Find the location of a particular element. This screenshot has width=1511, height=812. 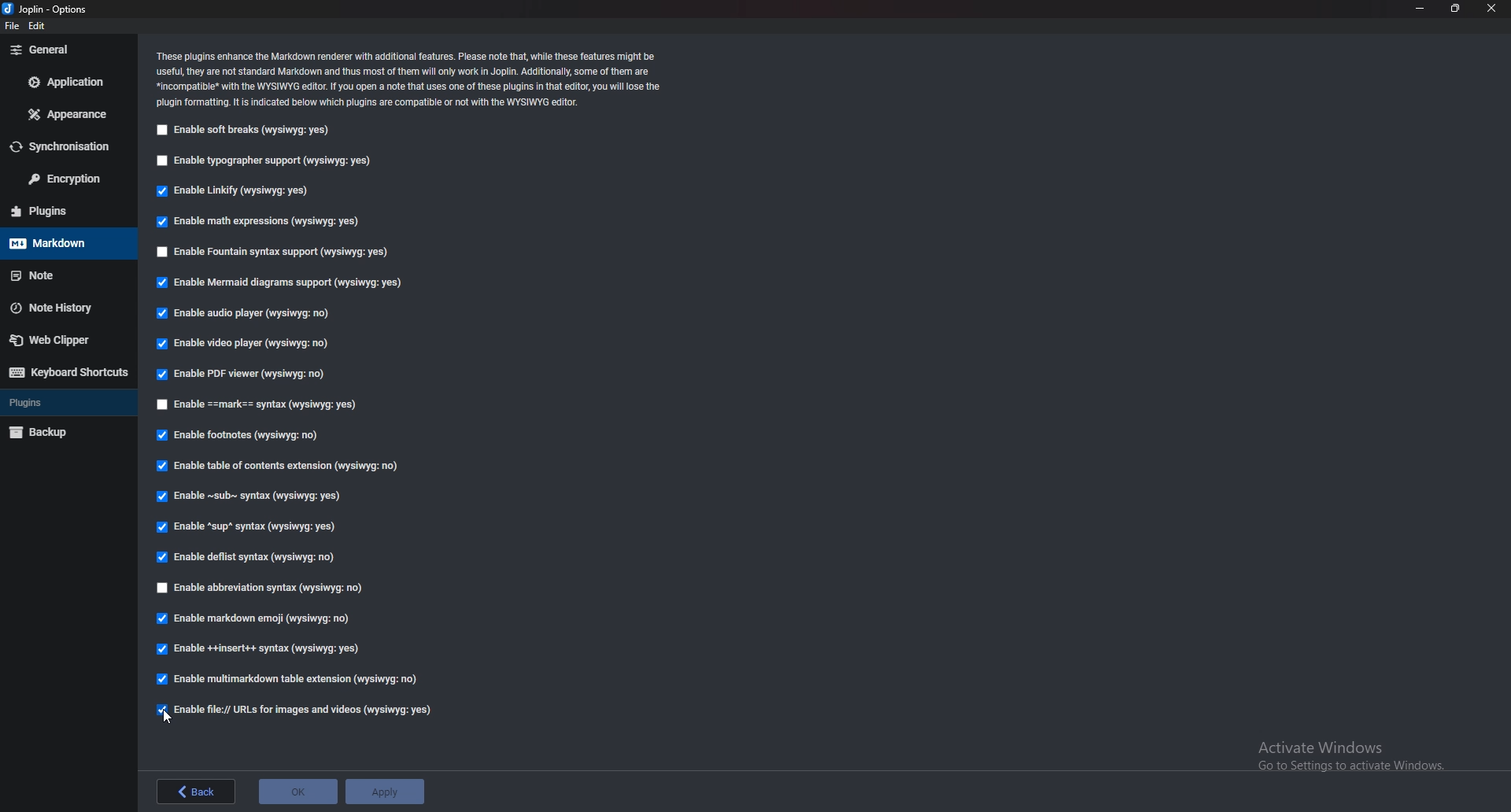

Enable typographer support (wysiwyg:yes) is located at coordinates (270, 162).